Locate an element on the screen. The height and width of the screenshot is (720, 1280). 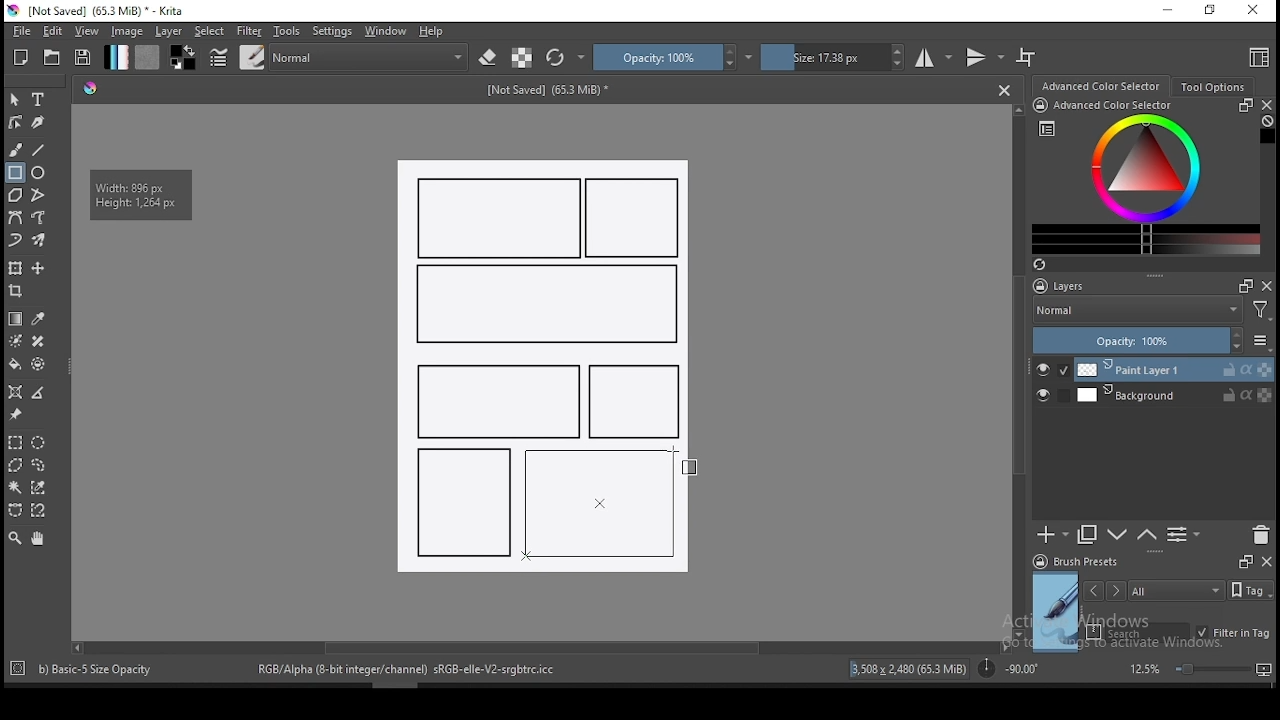
tool options is located at coordinates (1214, 87).